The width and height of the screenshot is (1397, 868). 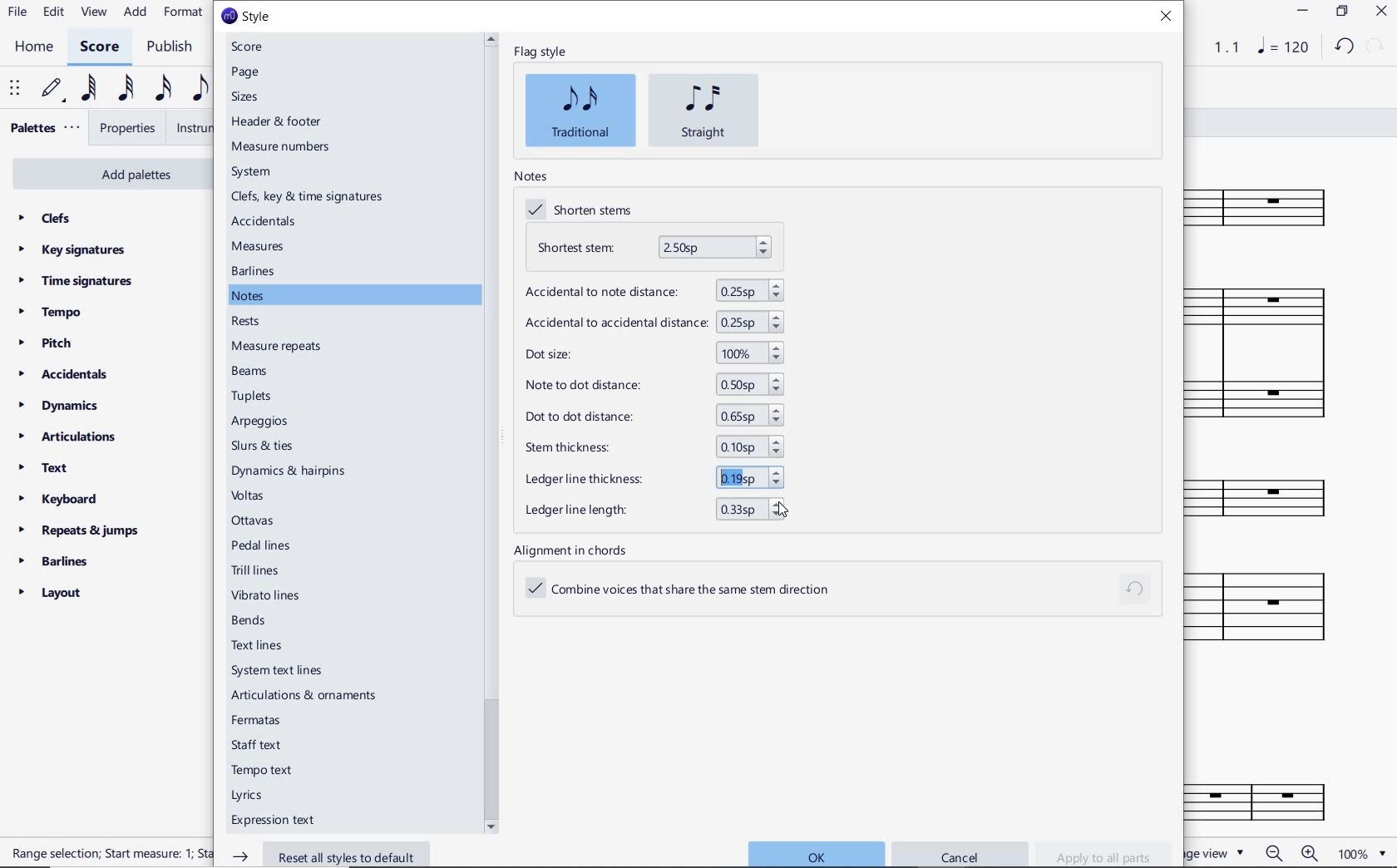 What do you see at coordinates (650, 417) in the screenshot?
I see `dot to dot distance` at bounding box center [650, 417].